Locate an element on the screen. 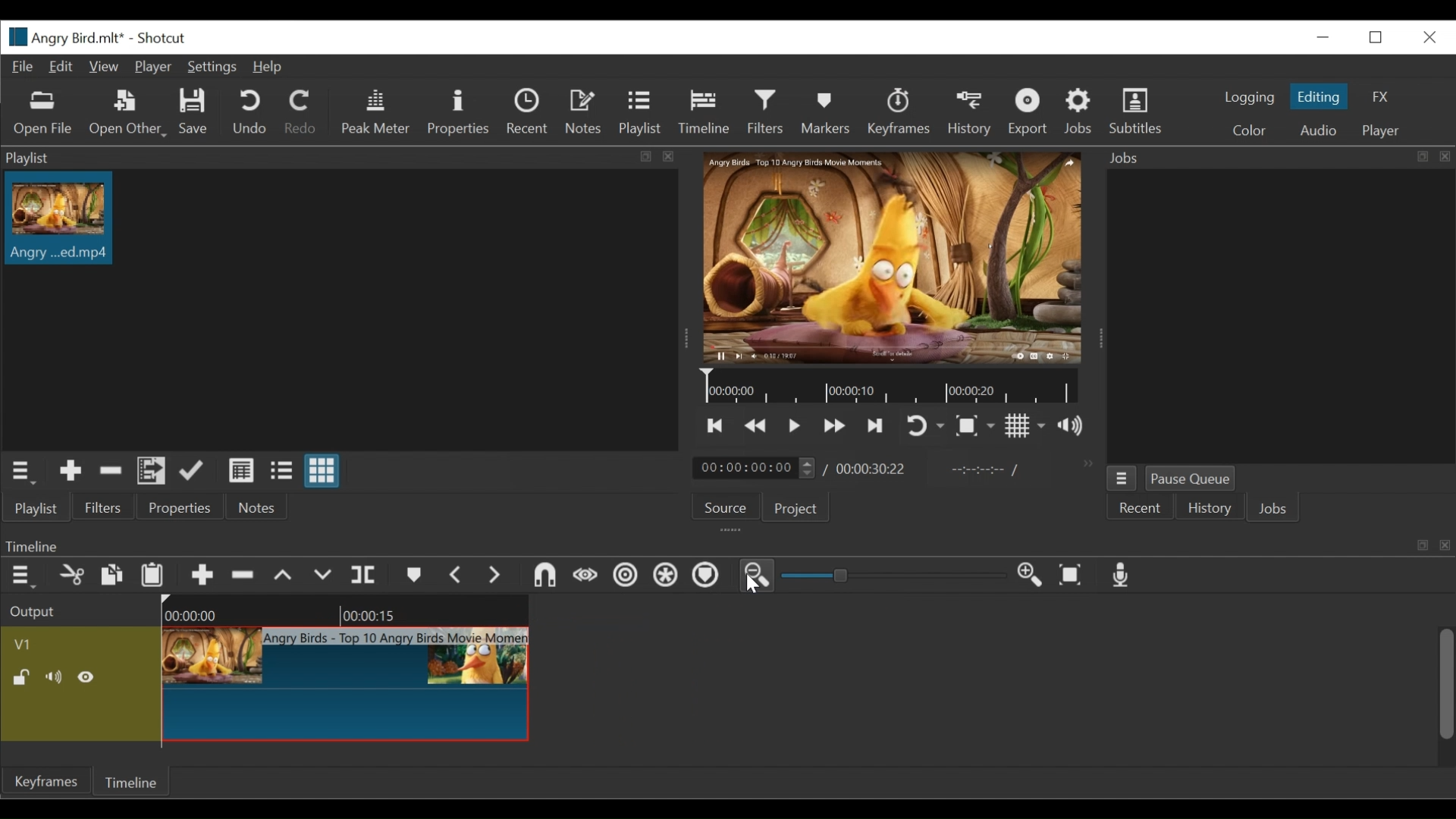 Image resolution: width=1456 pixels, height=819 pixels.  is located at coordinates (1432, 39).